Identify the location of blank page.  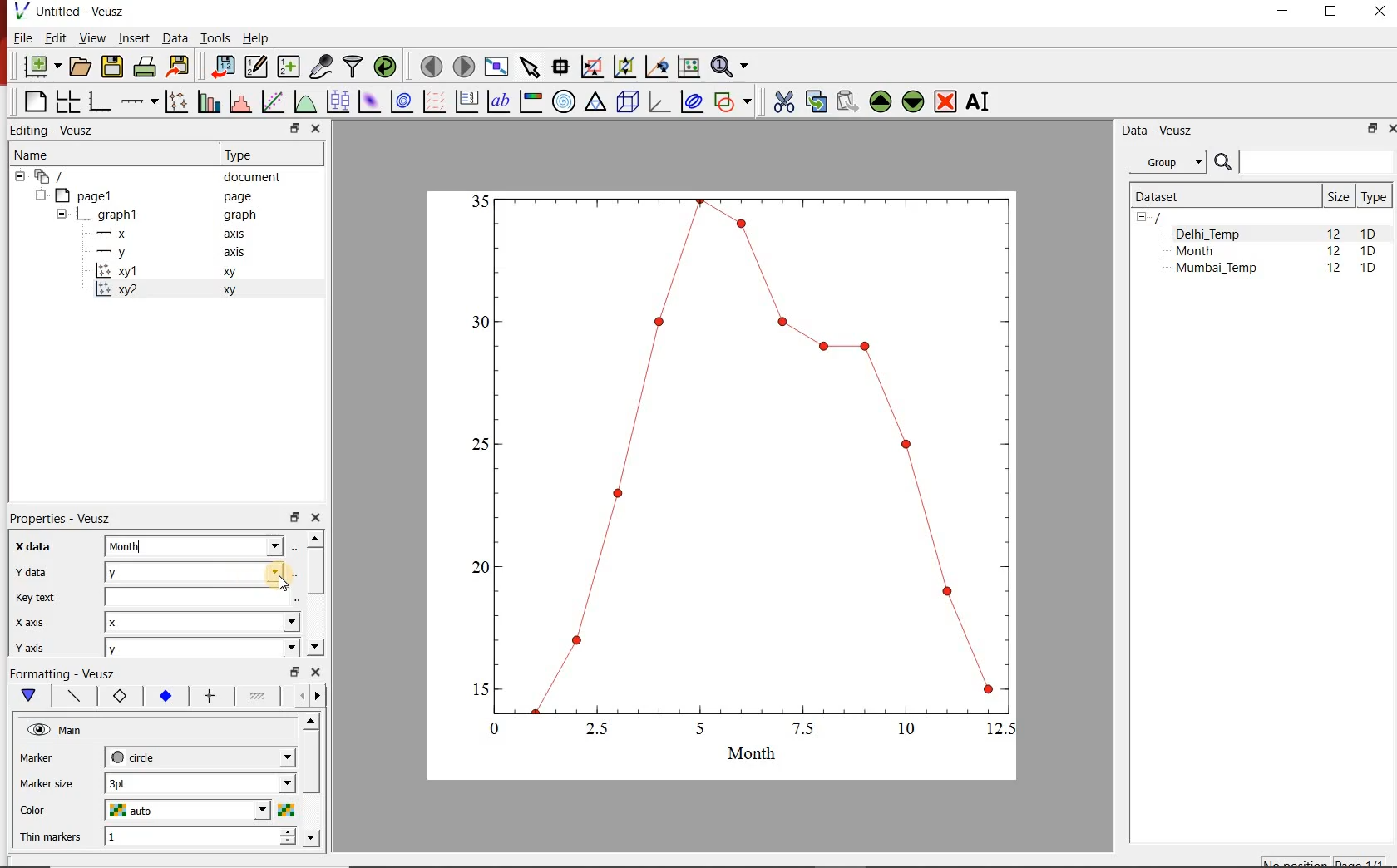
(32, 101).